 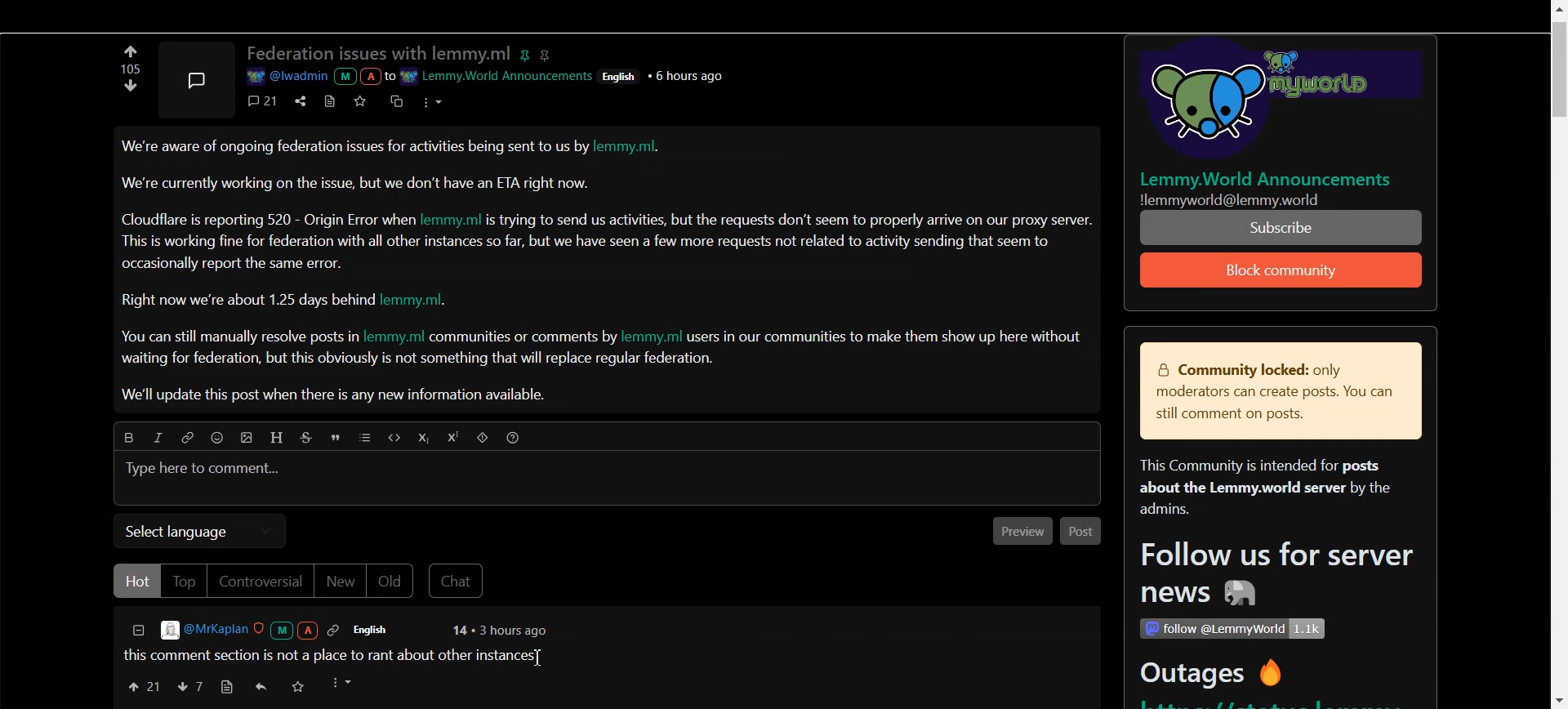 What do you see at coordinates (199, 531) in the screenshot?
I see `Select language` at bounding box center [199, 531].